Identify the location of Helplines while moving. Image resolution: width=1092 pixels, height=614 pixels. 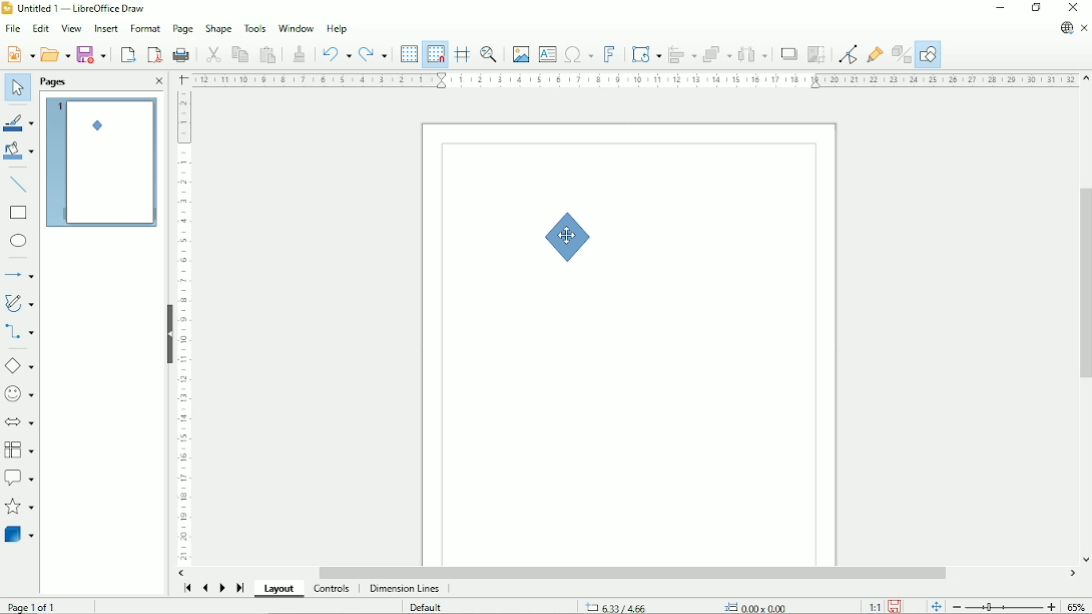
(462, 54).